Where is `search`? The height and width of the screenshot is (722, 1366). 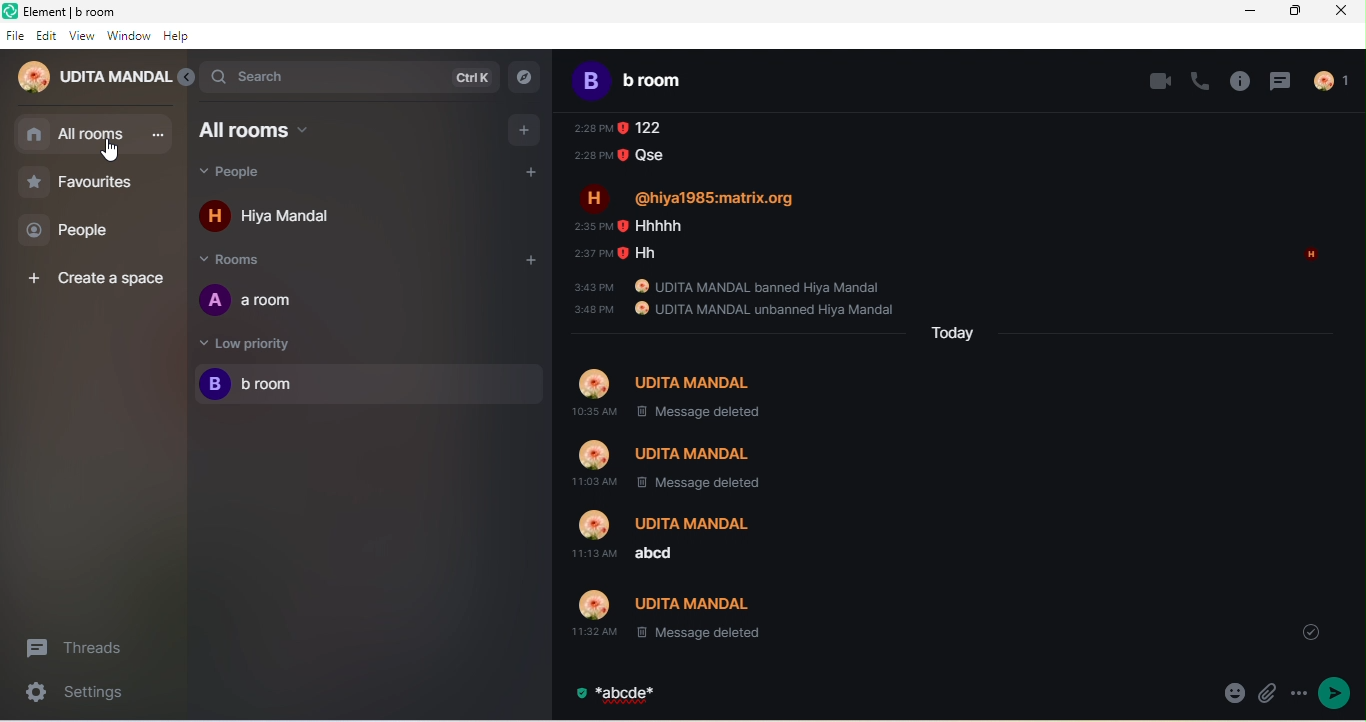 search is located at coordinates (351, 77).